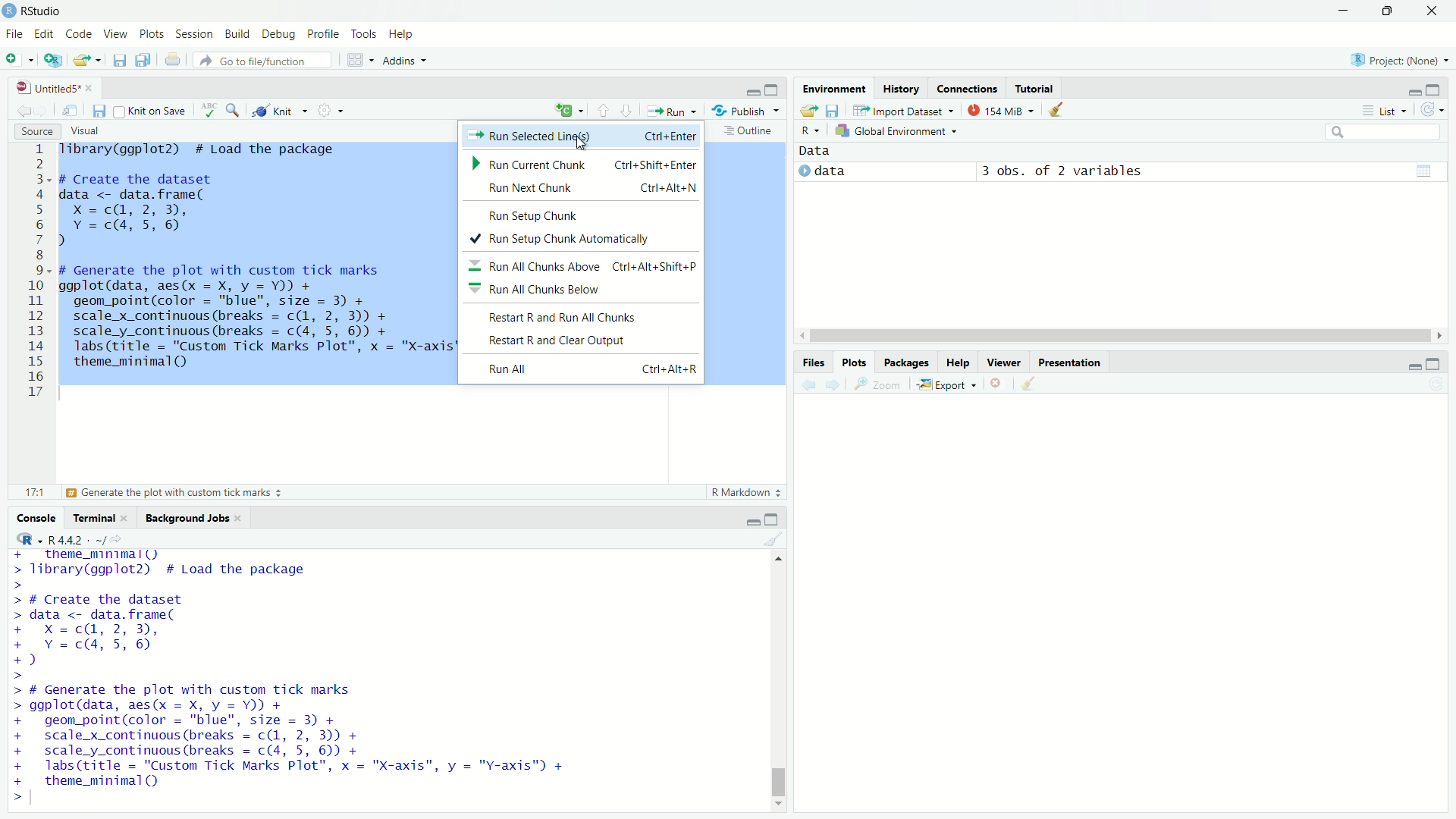 This screenshot has width=1456, height=819. Describe the element at coordinates (235, 111) in the screenshot. I see `find/replace` at that location.